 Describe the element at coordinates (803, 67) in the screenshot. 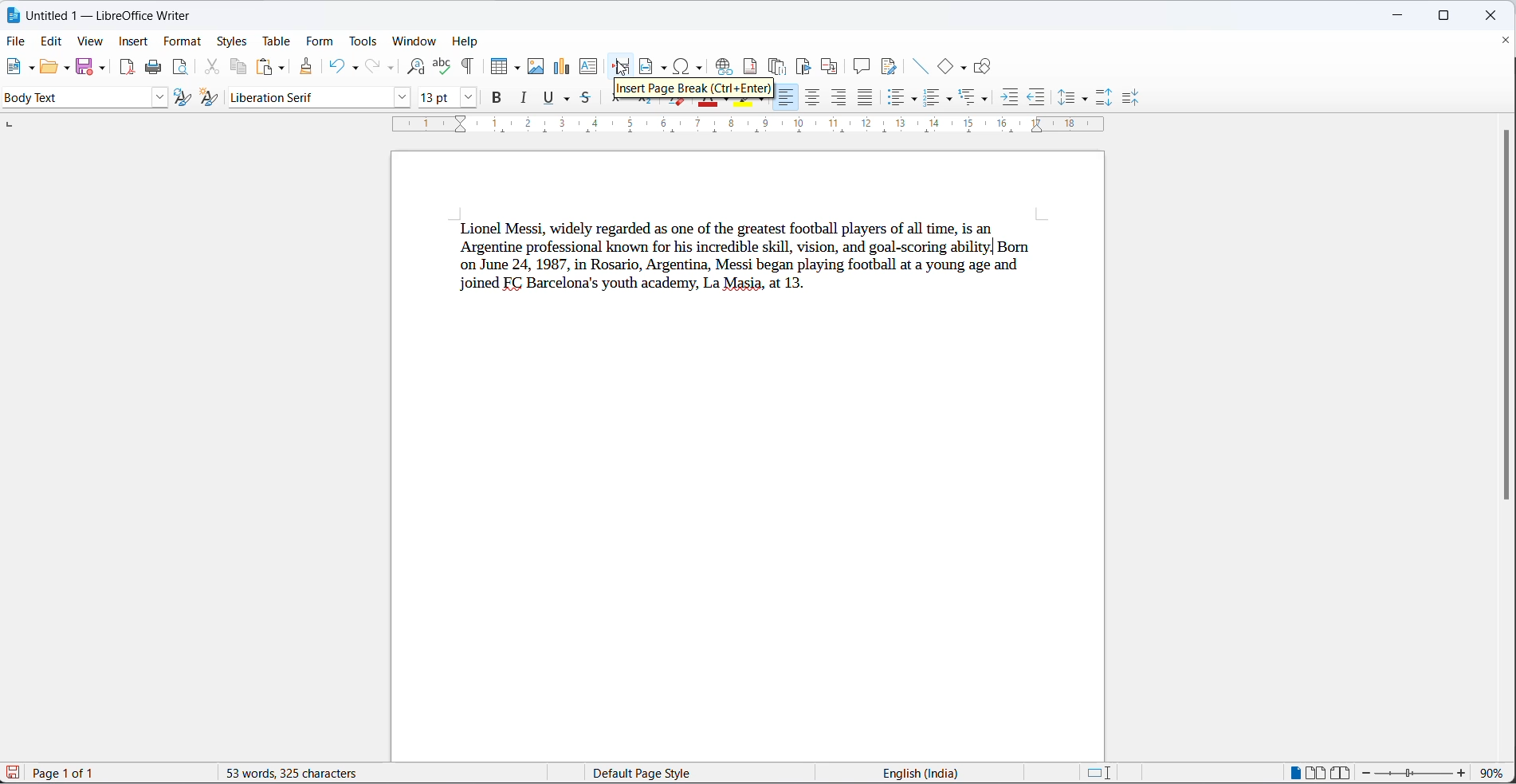

I see `insert bookmark` at that location.